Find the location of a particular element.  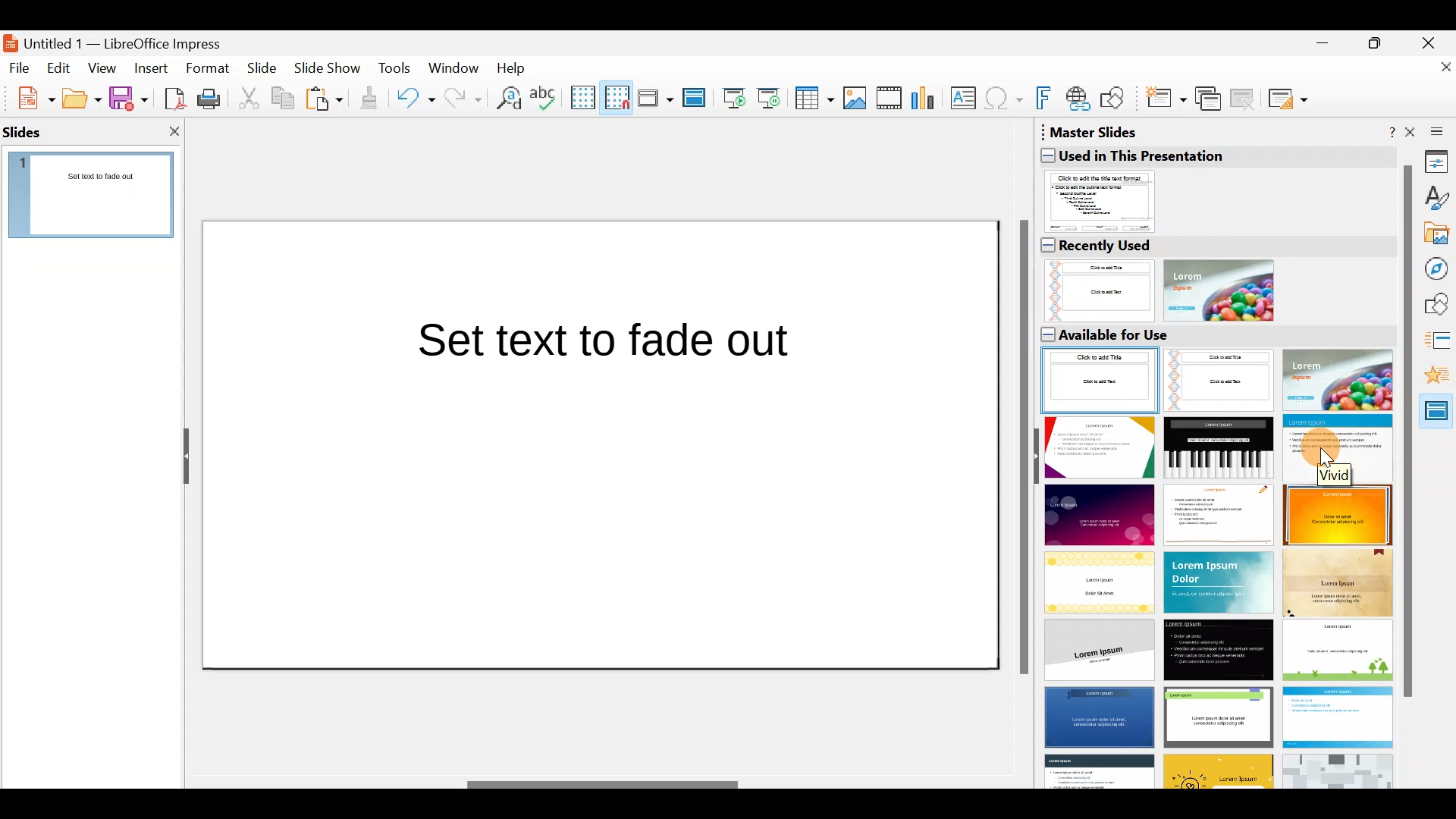

Slide show is located at coordinates (331, 71).